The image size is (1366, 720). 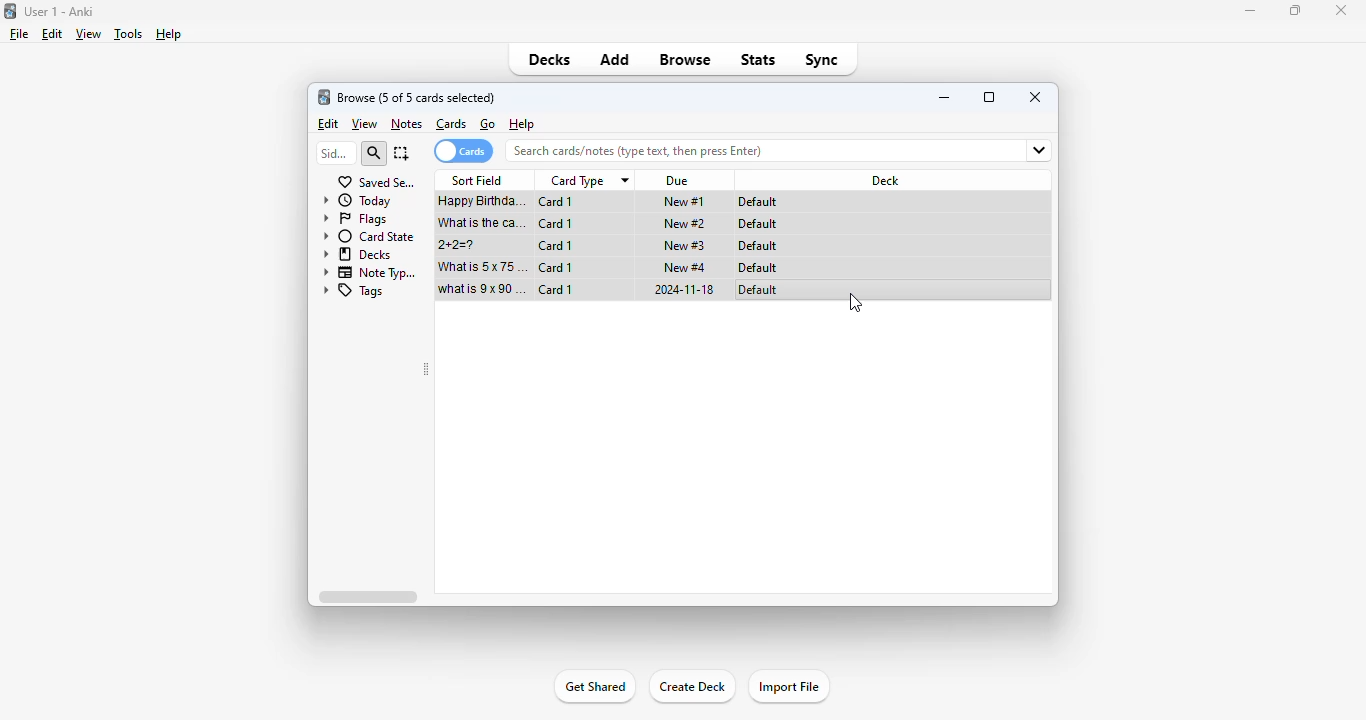 What do you see at coordinates (354, 291) in the screenshot?
I see `tags` at bounding box center [354, 291].